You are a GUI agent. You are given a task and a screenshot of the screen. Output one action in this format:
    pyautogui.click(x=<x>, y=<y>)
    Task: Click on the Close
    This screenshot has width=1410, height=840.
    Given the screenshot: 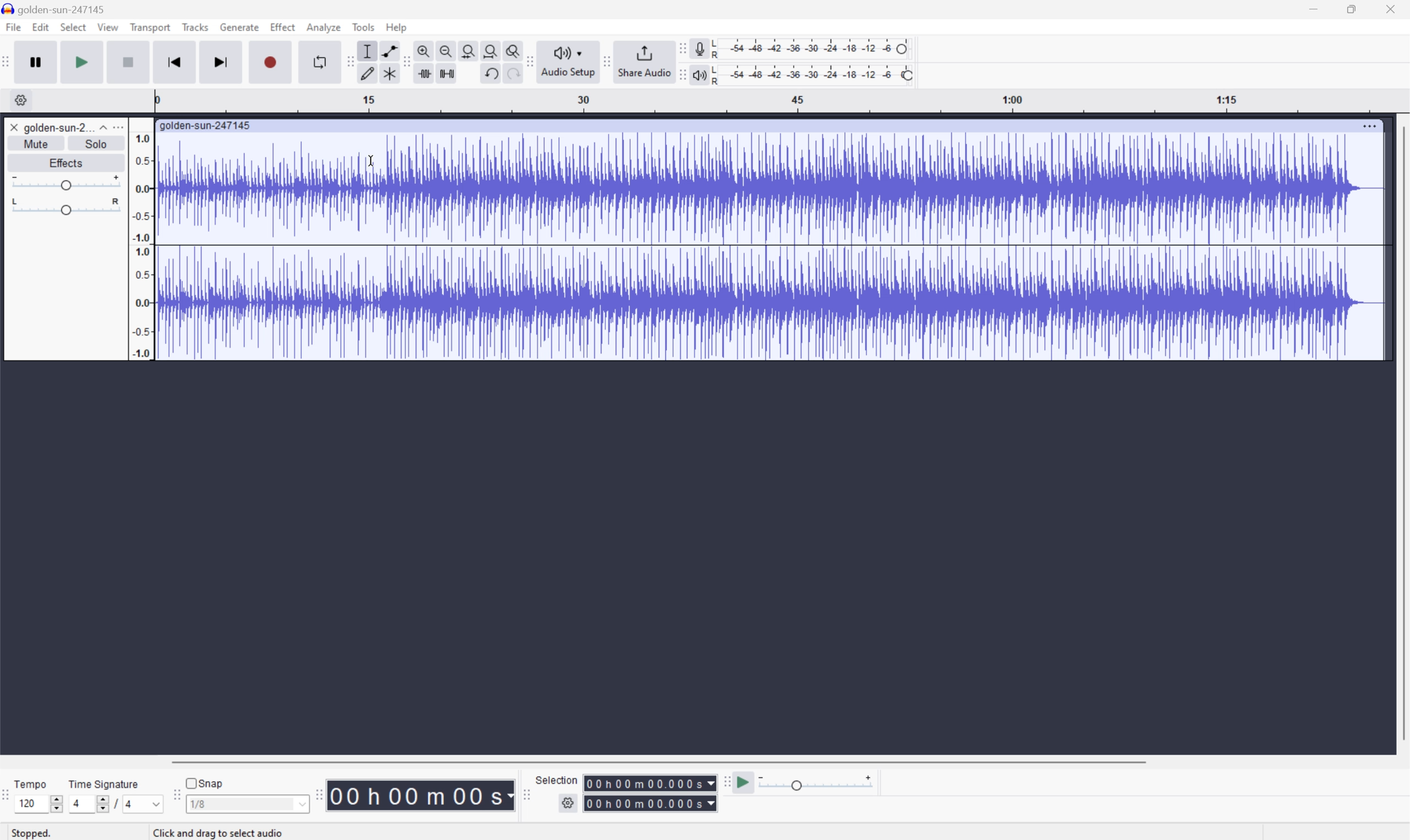 What is the action you would take?
    pyautogui.click(x=1394, y=8)
    